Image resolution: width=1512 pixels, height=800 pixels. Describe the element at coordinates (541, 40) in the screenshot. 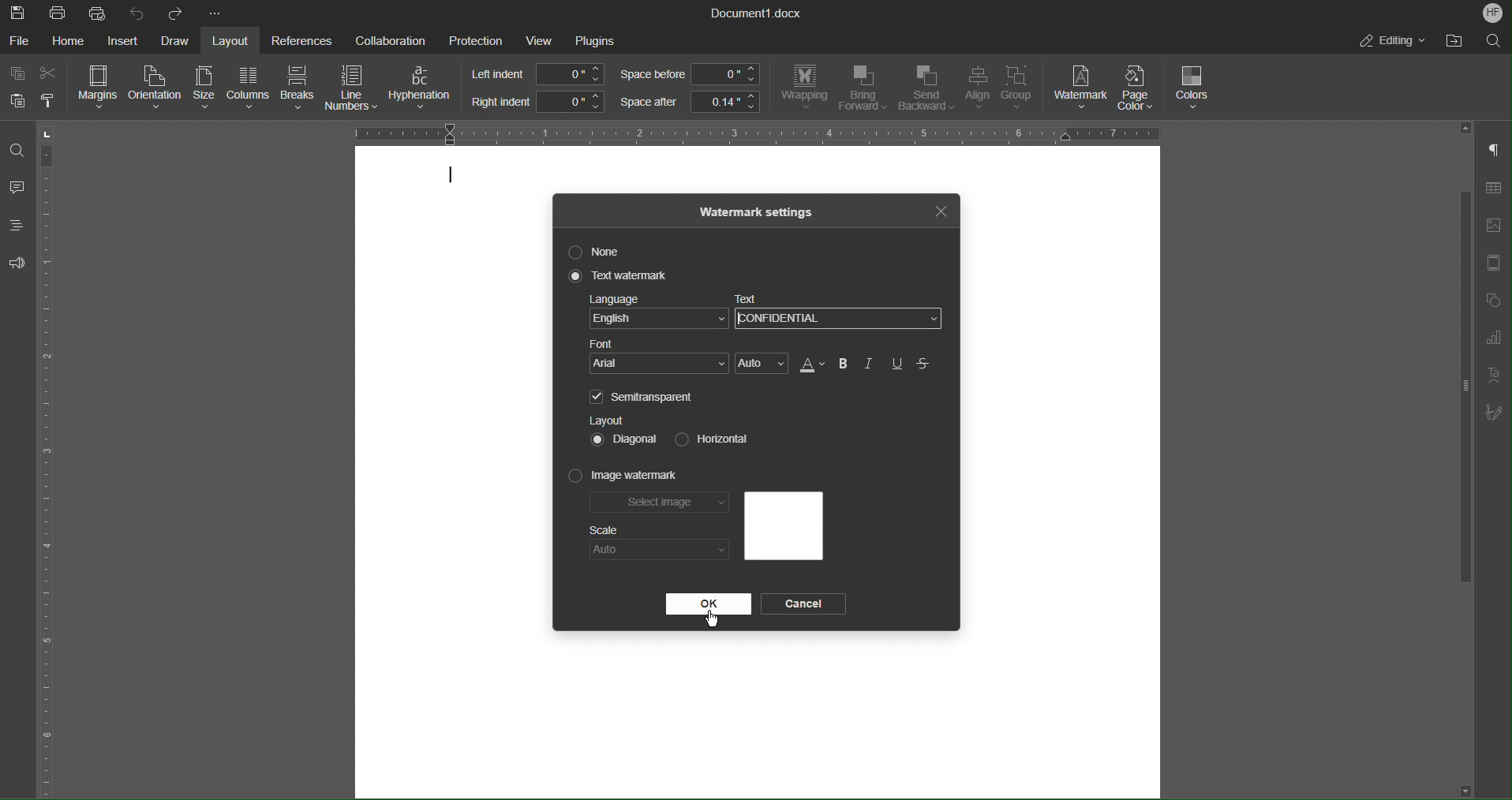

I see `View` at that location.